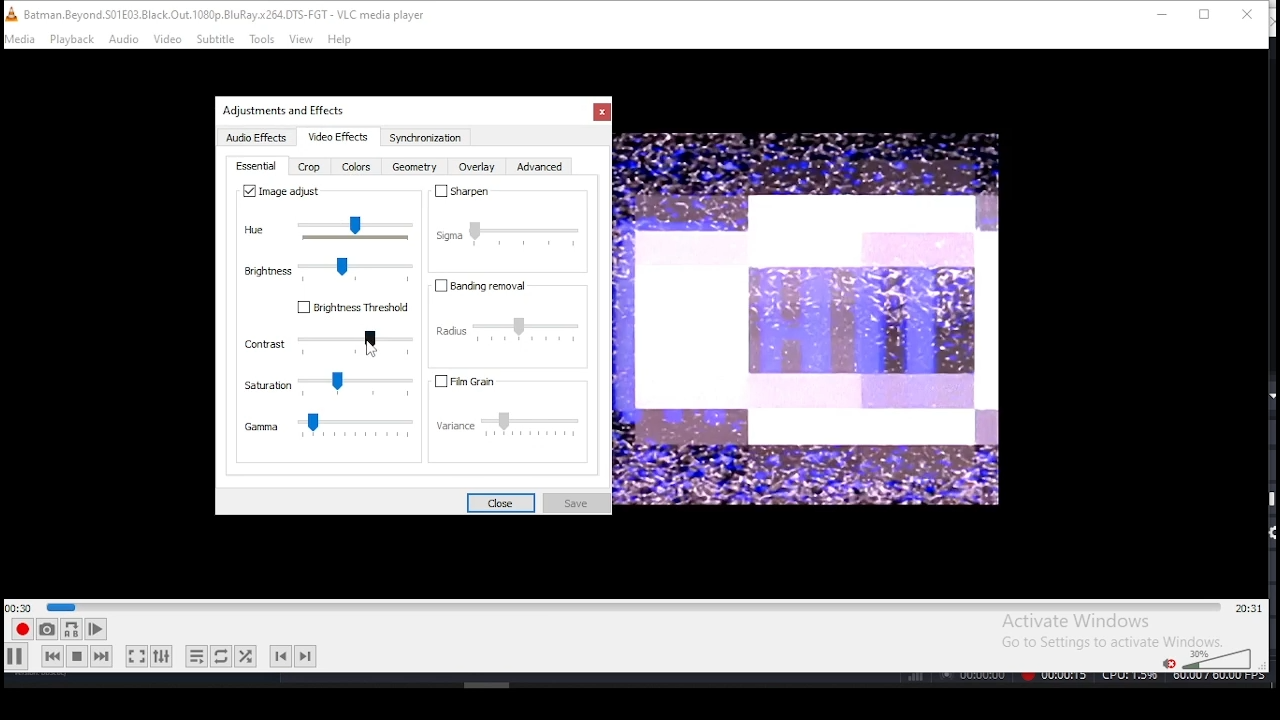  I want to click on previous chapter, so click(279, 657).